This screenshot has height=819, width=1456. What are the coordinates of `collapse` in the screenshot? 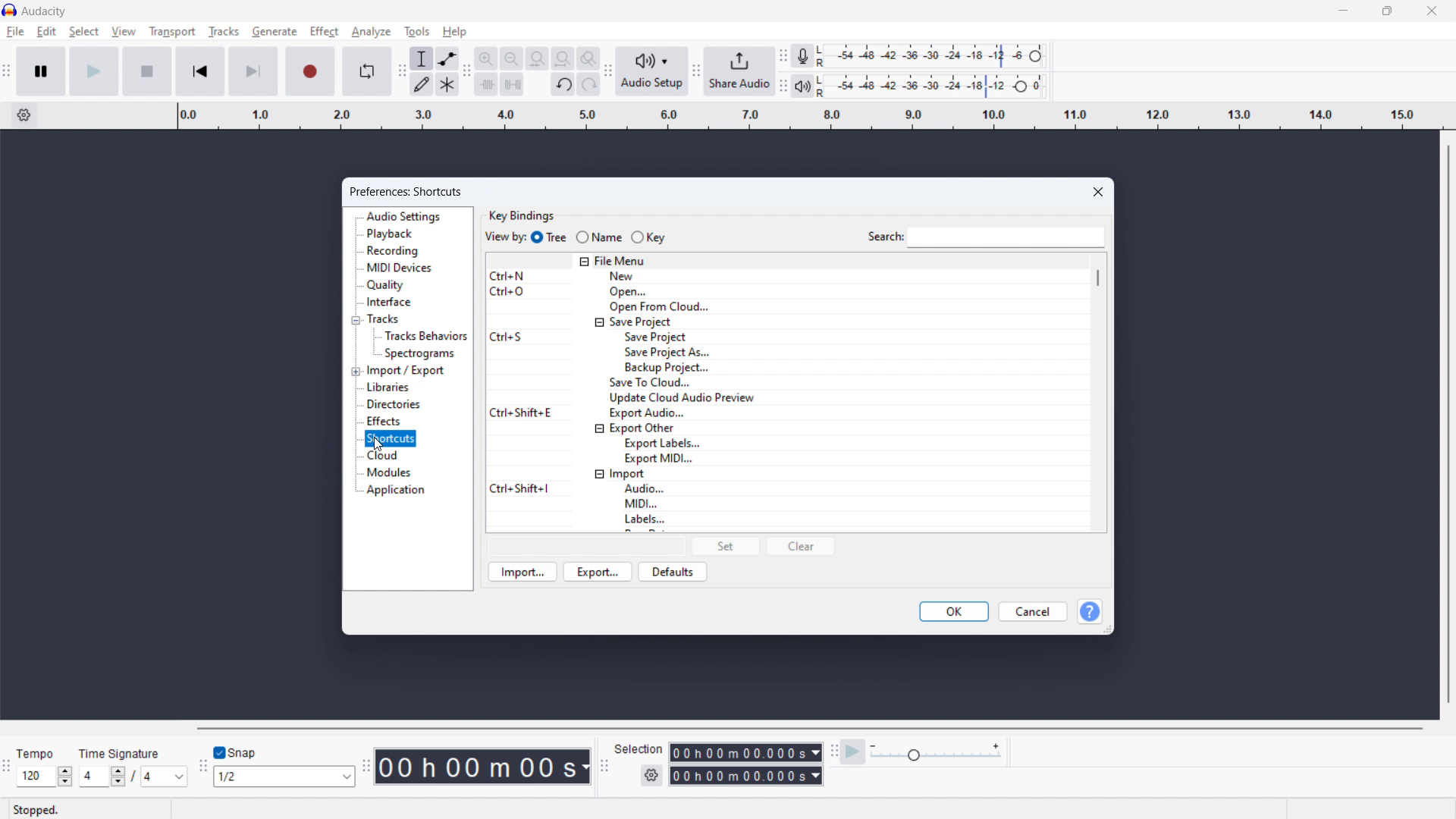 It's located at (598, 428).